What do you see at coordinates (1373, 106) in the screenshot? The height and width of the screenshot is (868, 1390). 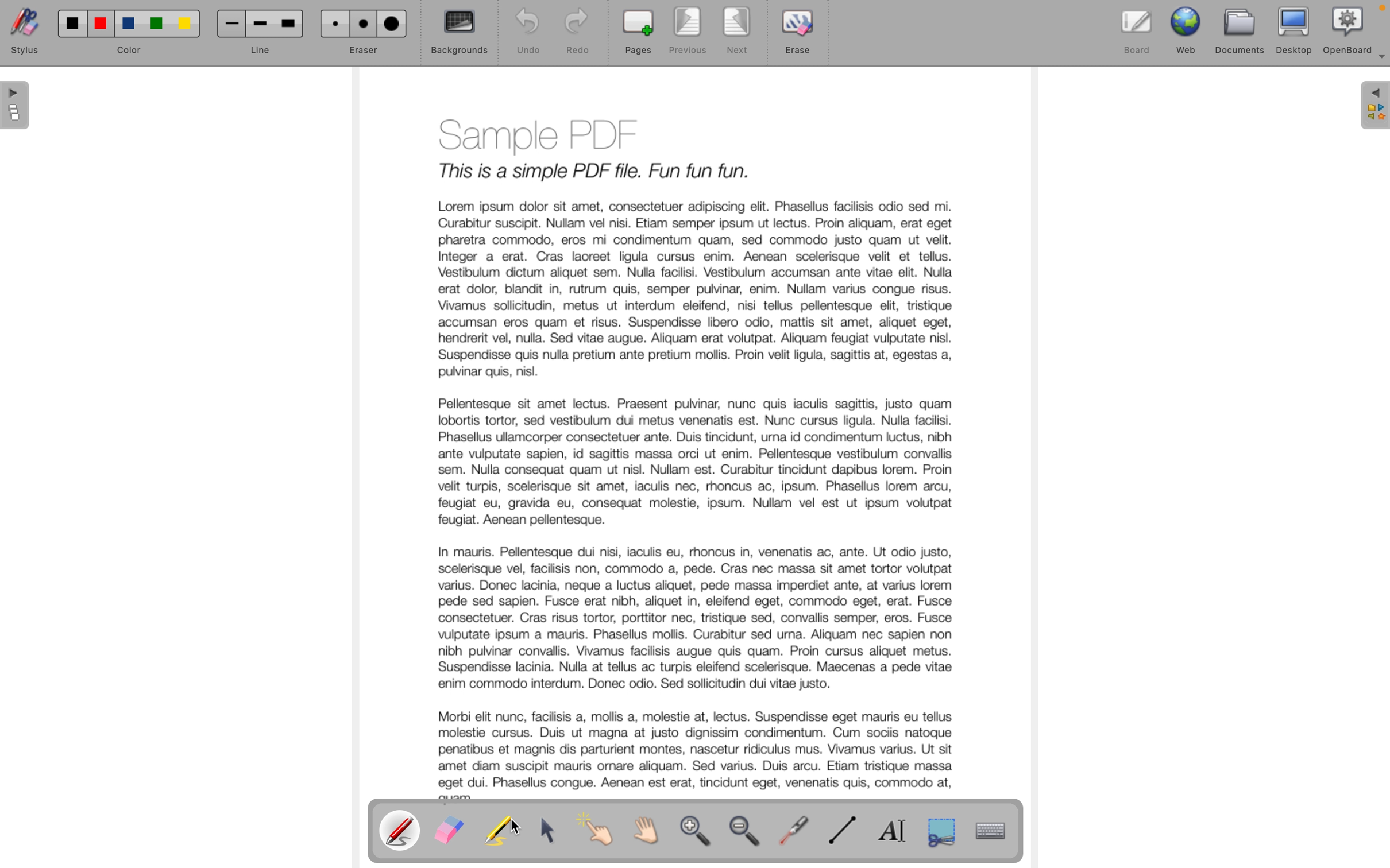 I see `sidebar` at bounding box center [1373, 106].